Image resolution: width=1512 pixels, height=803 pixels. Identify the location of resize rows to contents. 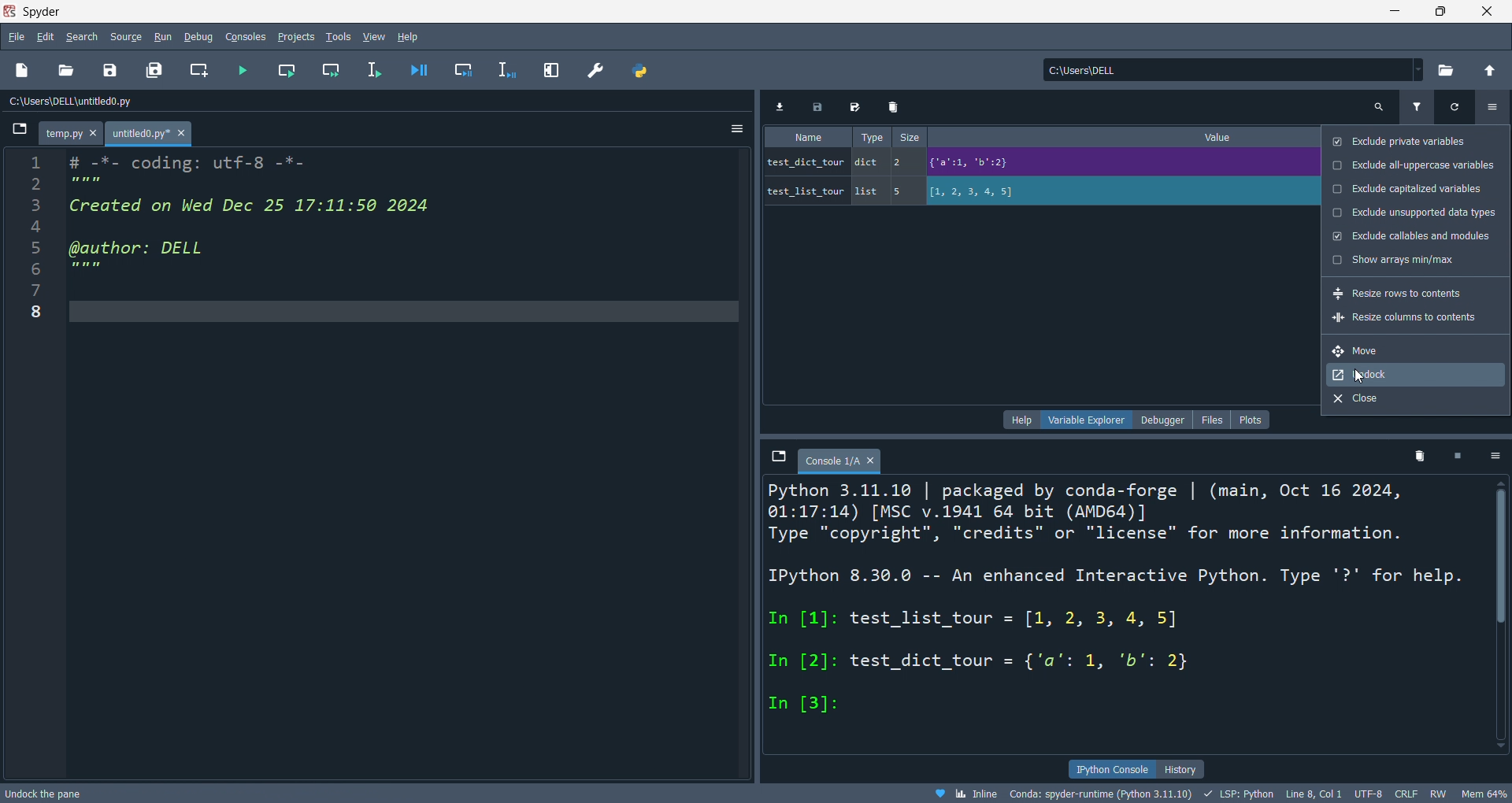
(1400, 293).